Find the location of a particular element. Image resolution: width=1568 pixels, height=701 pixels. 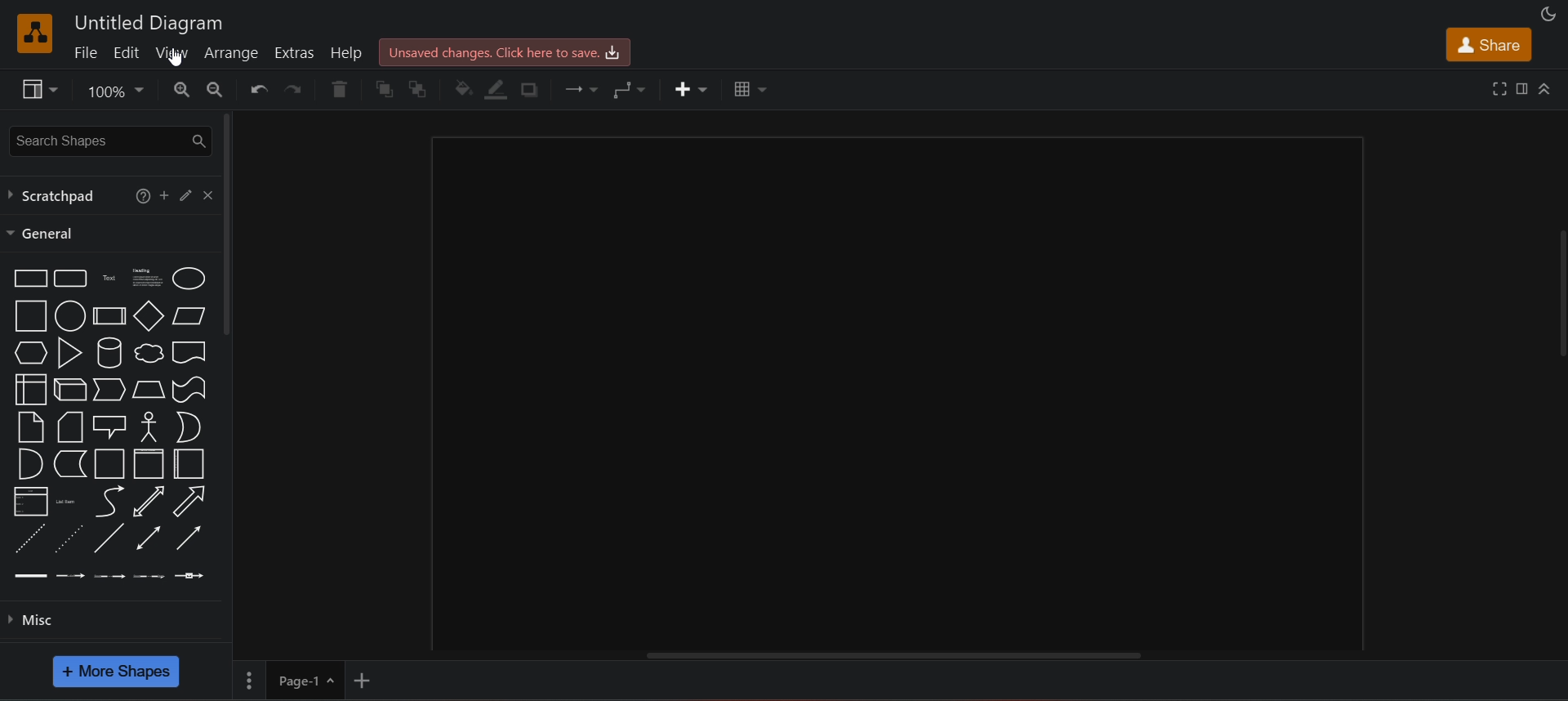

arrow is located at coordinates (192, 501).